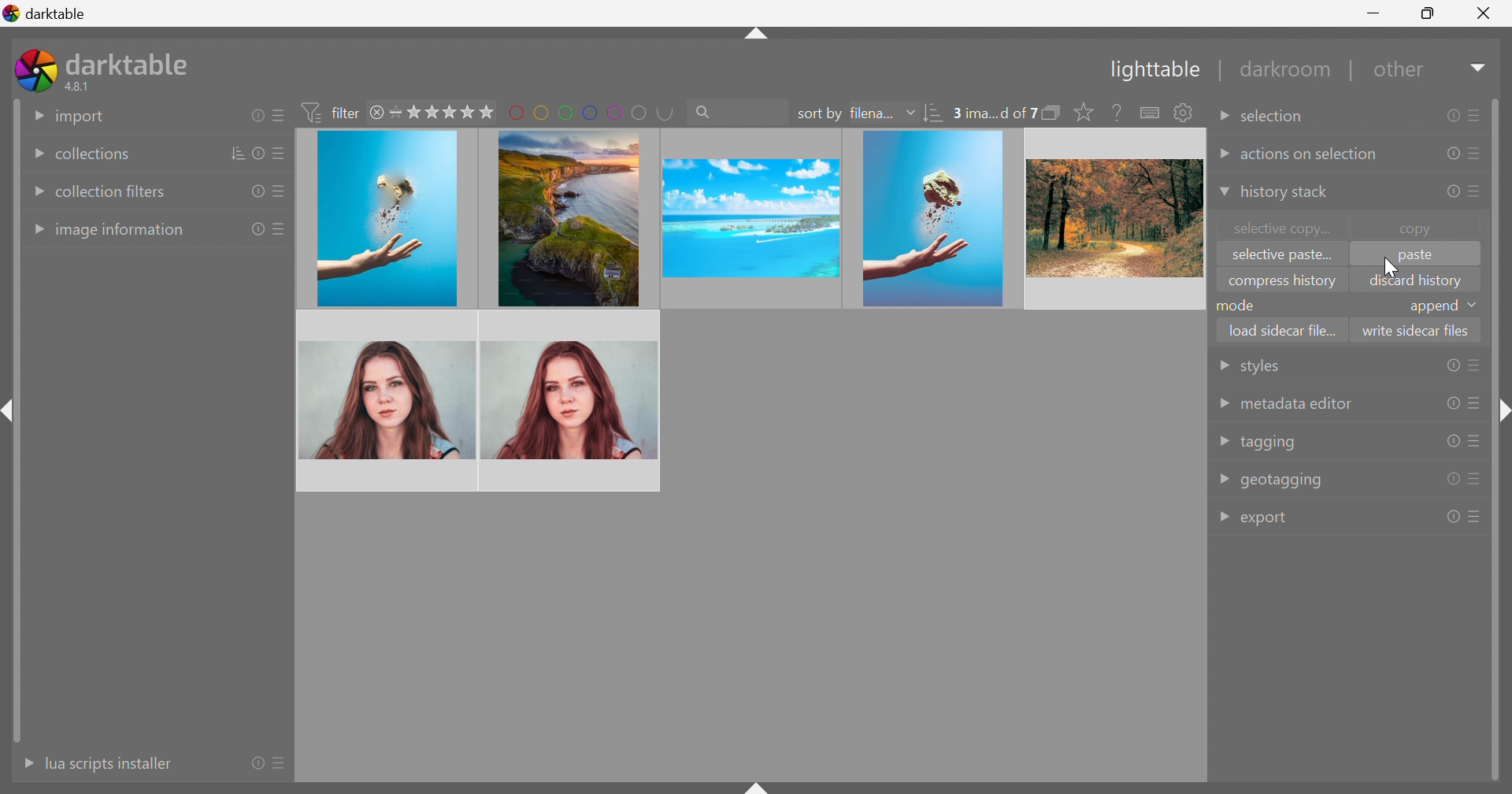 This screenshot has width=1512, height=794. Describe the element at coordinates (35, 230) in the screenshot. I see `Drop Down` at that location.